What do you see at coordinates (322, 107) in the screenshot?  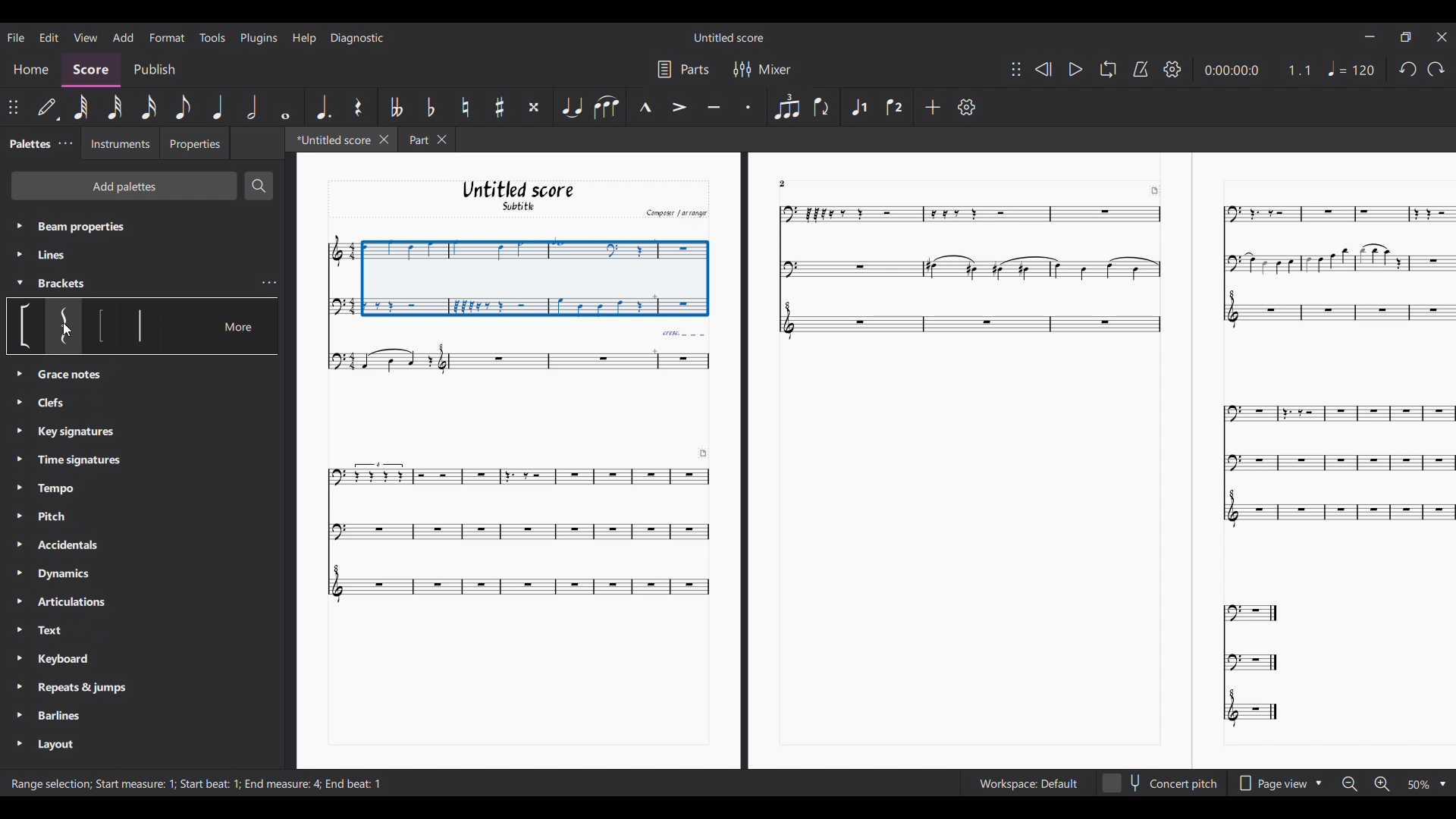 I see `Augmentation dot` at bounding box center [322, 107].